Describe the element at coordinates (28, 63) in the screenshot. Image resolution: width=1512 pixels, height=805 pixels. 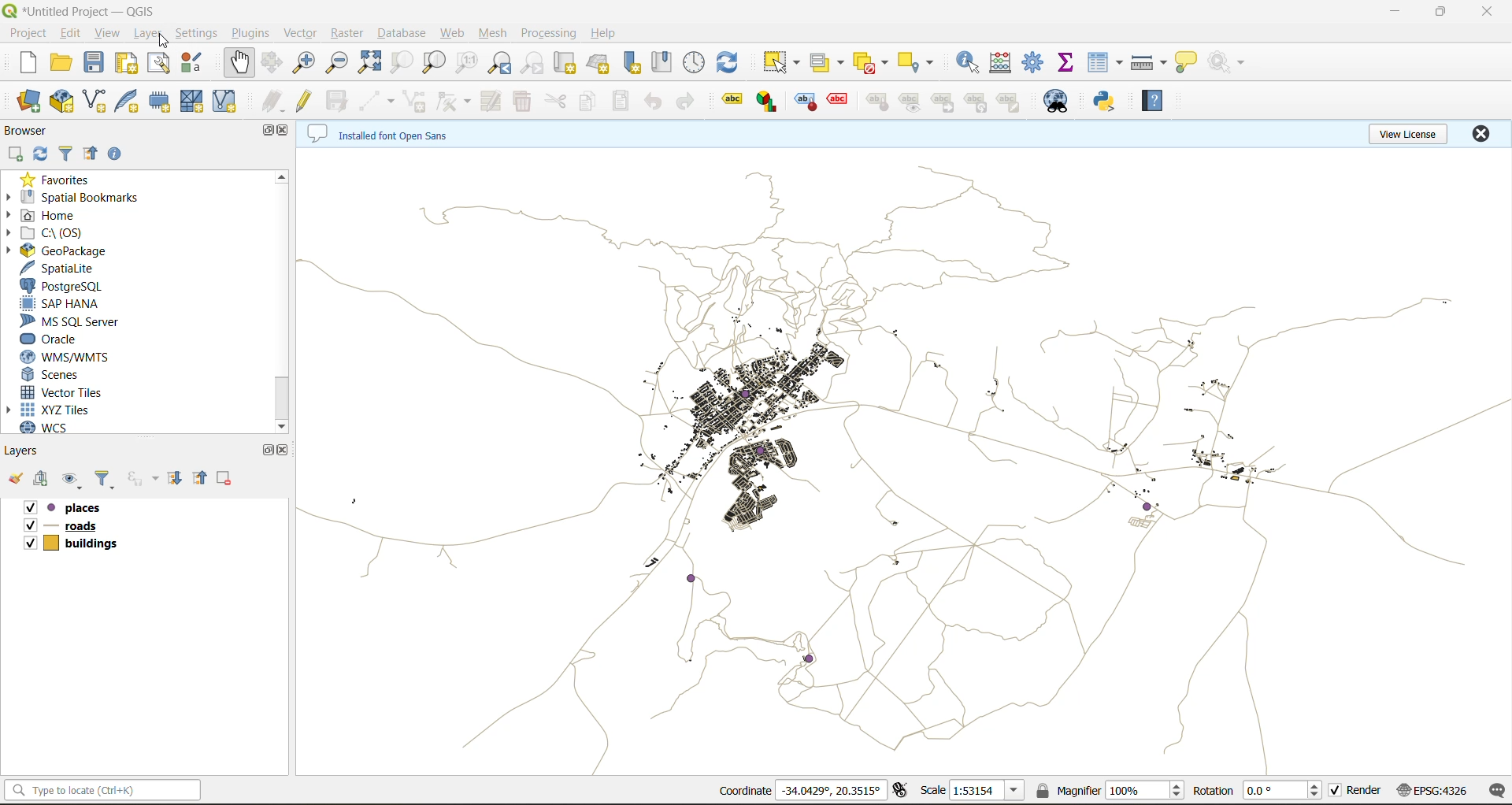
I see `new` at that location.